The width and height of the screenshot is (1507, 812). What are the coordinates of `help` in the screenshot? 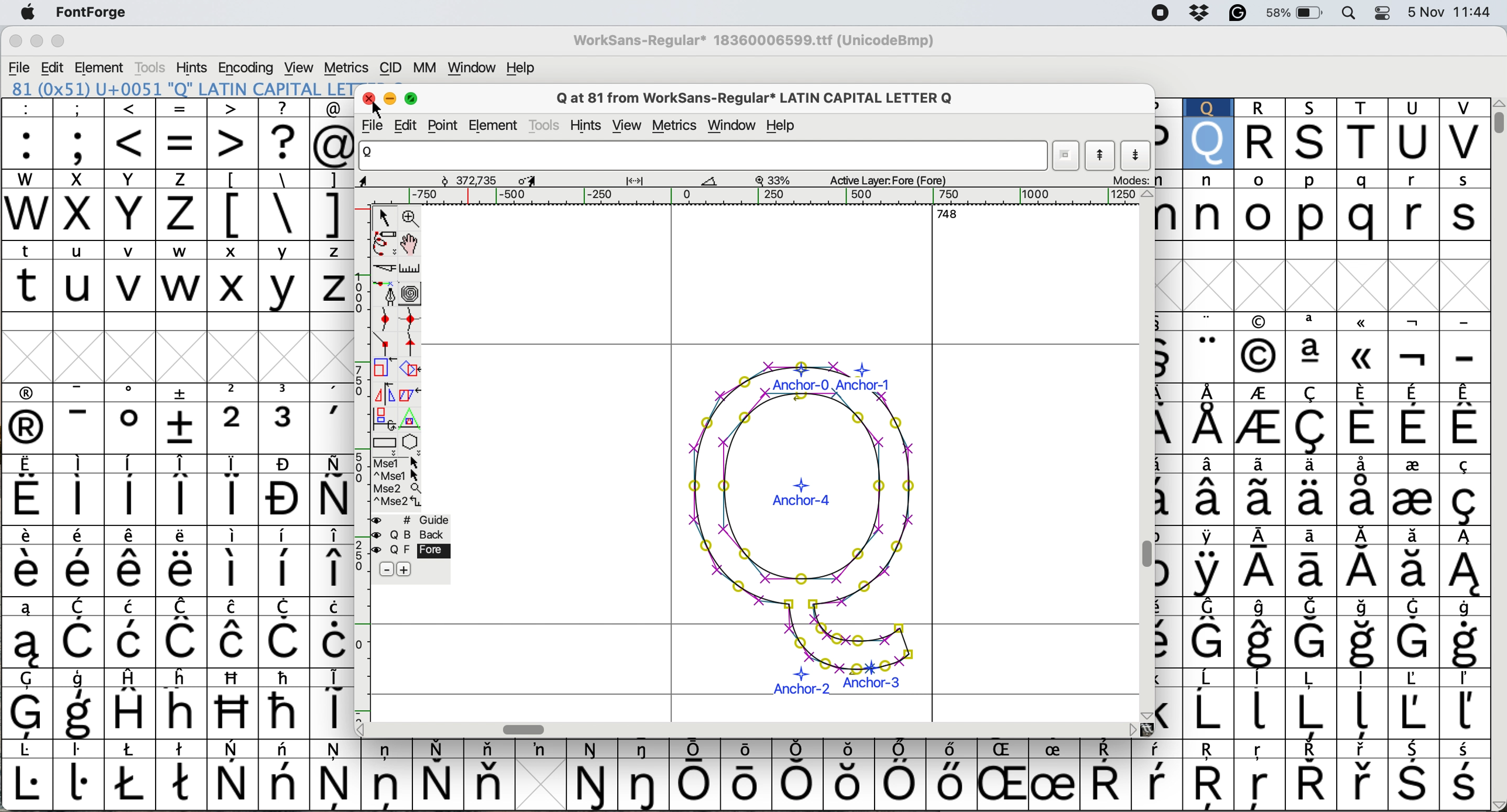 It's located at (782, 126).